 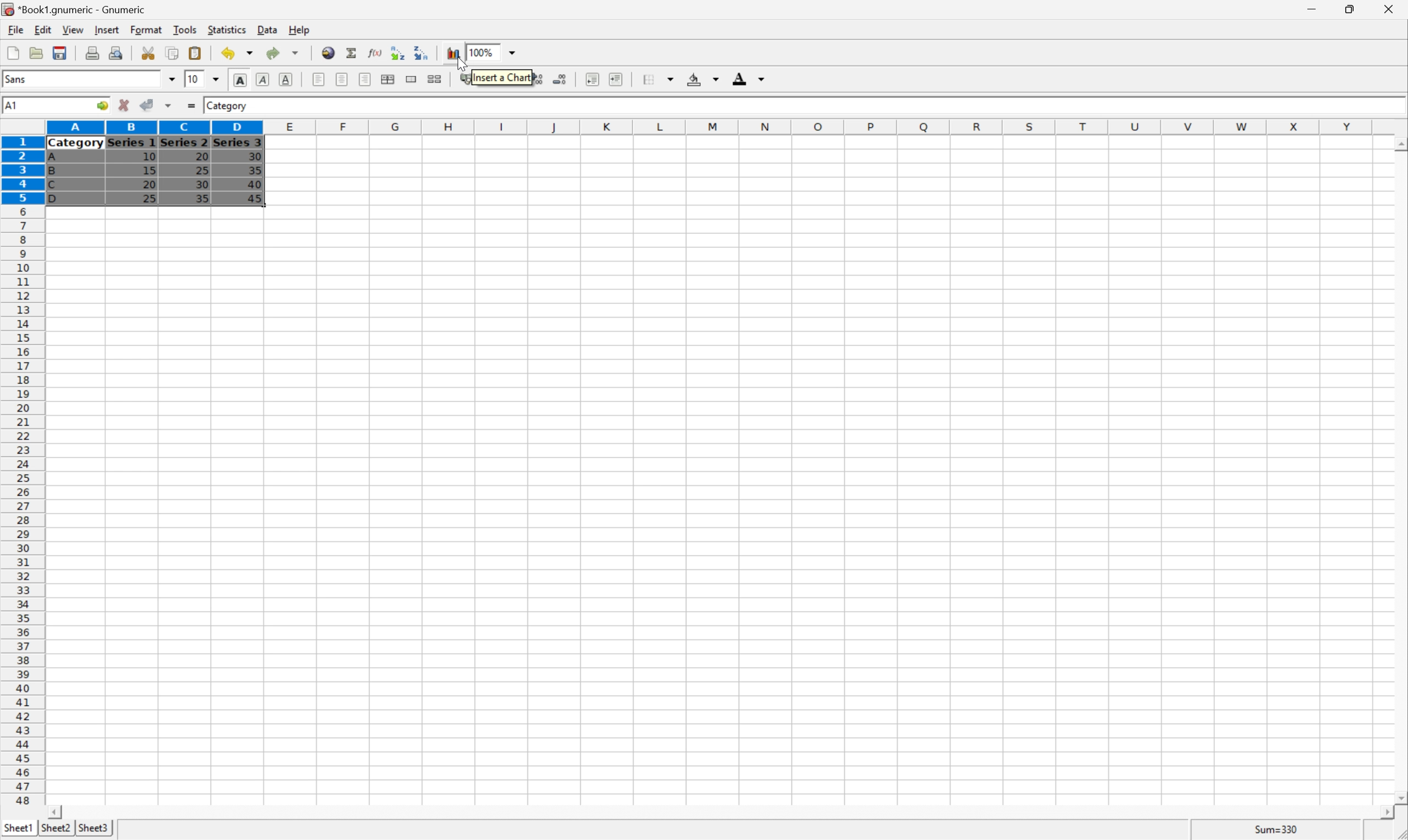 What do you see at coordinates (559, 78) in the screenshot?
I see `Decrease the number of decimals displayed` at bounding box center [559, 78].